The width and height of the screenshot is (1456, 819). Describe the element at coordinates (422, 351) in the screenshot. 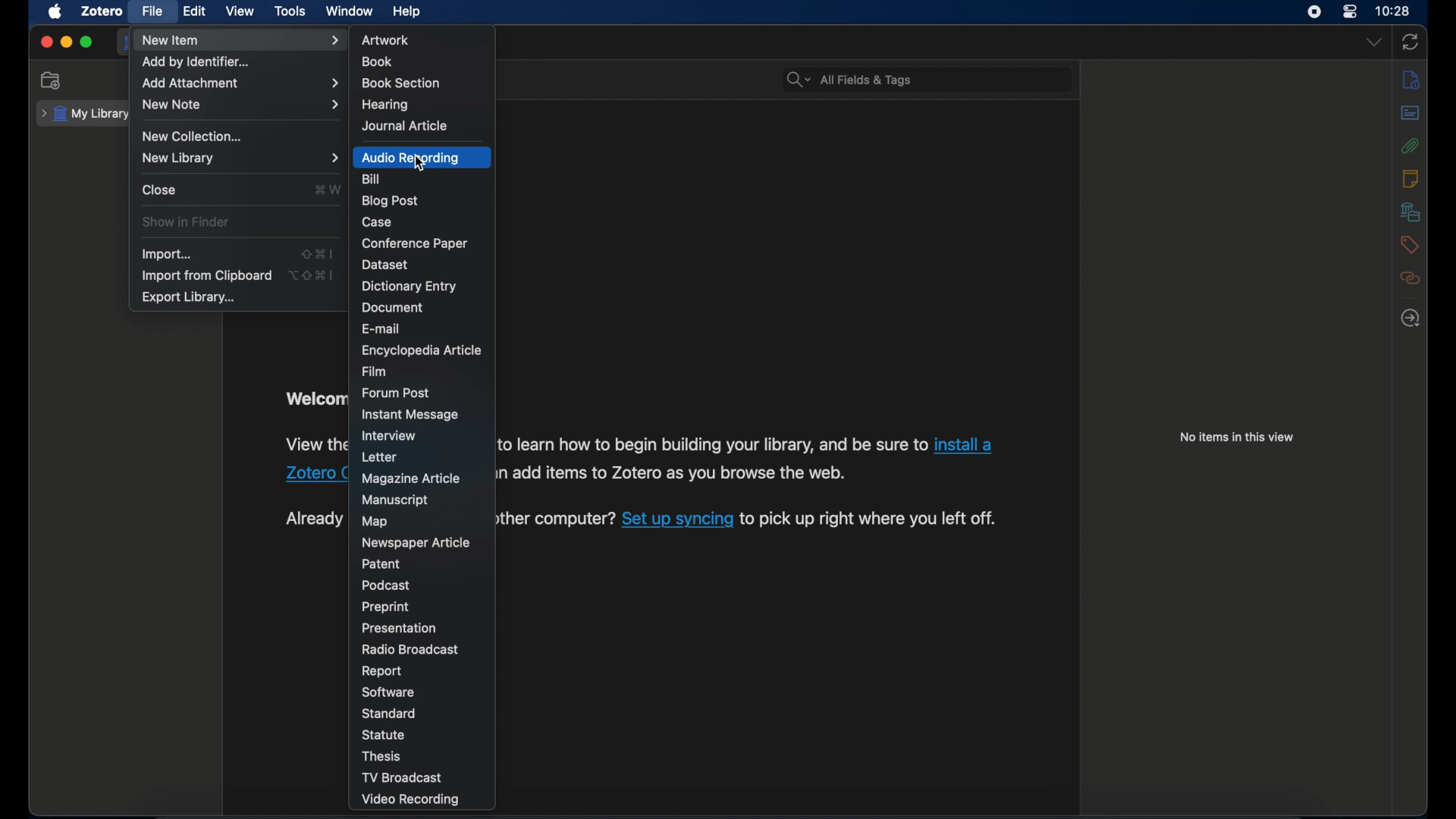

I see `encyclopedia article` at that location.